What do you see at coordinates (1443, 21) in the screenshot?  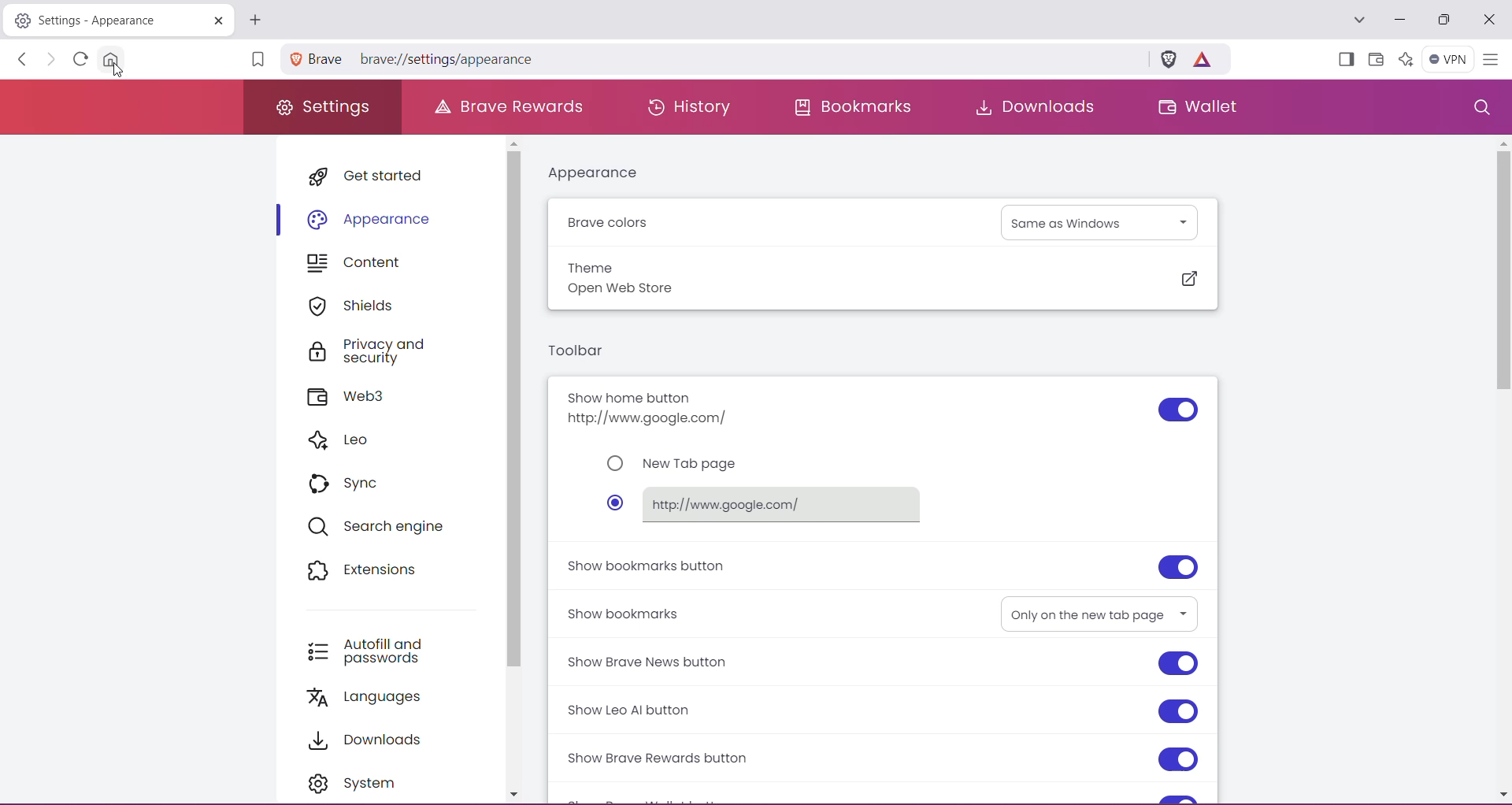 I see `Maximize` at bounding box center [1443, 21].